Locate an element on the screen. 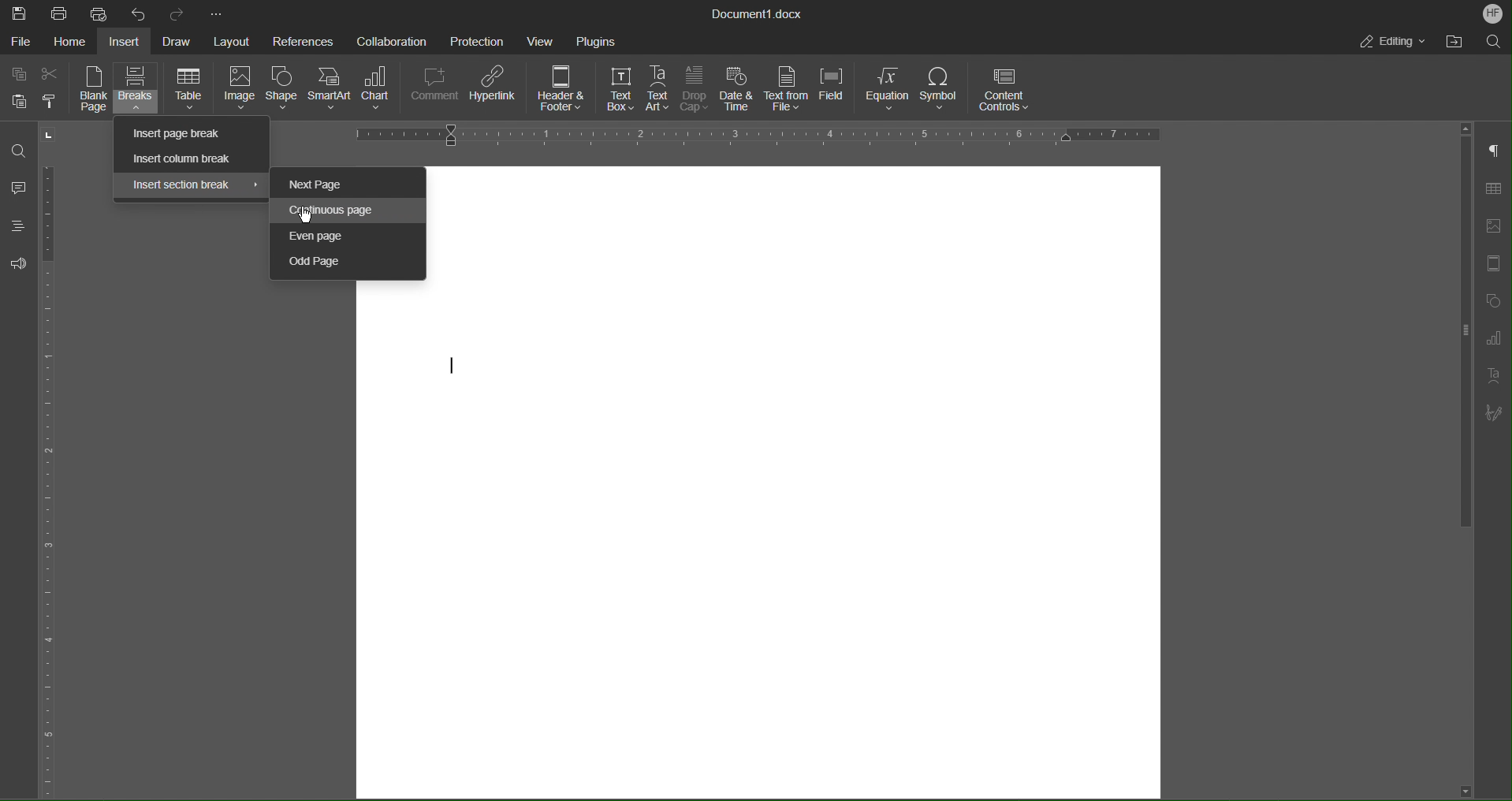  Blank Page is located at coordinates (93, 89).